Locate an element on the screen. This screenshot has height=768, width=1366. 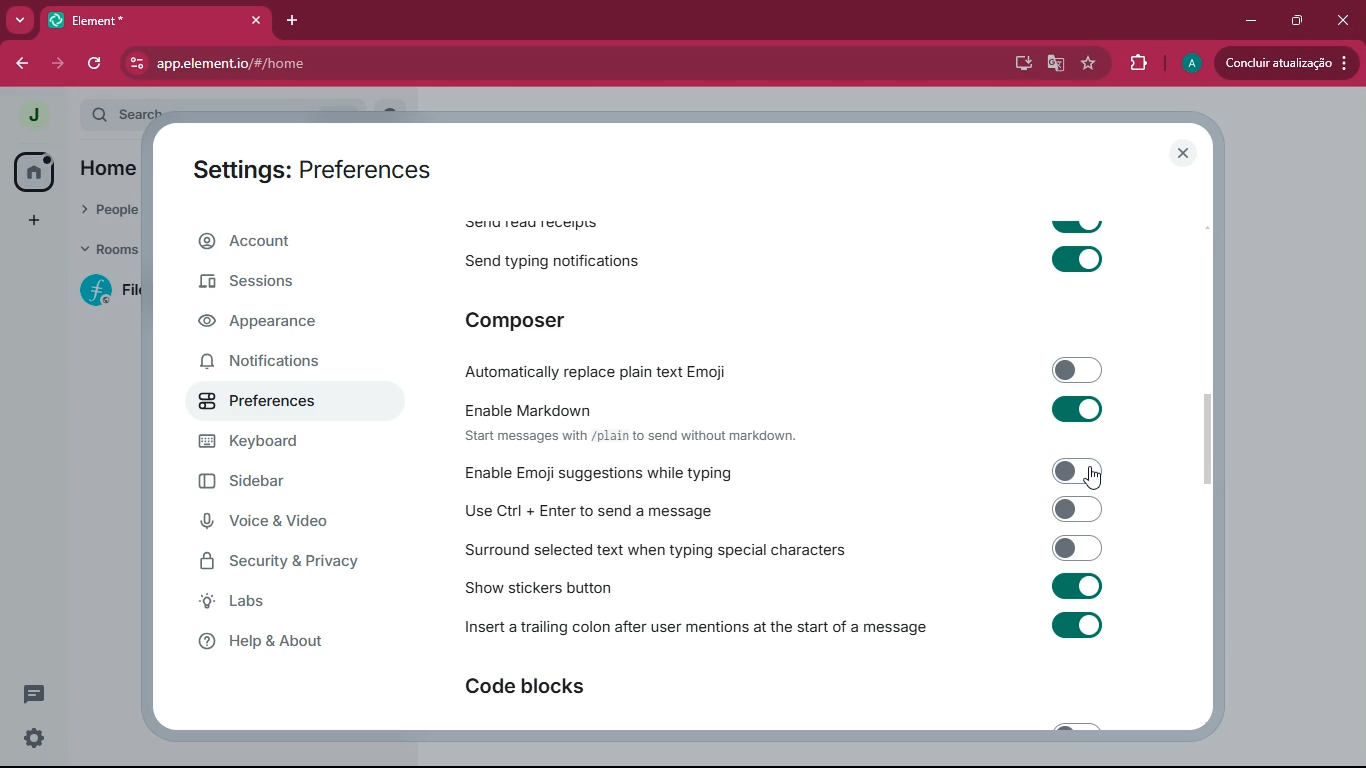
more is located at coordinates (16, 21).